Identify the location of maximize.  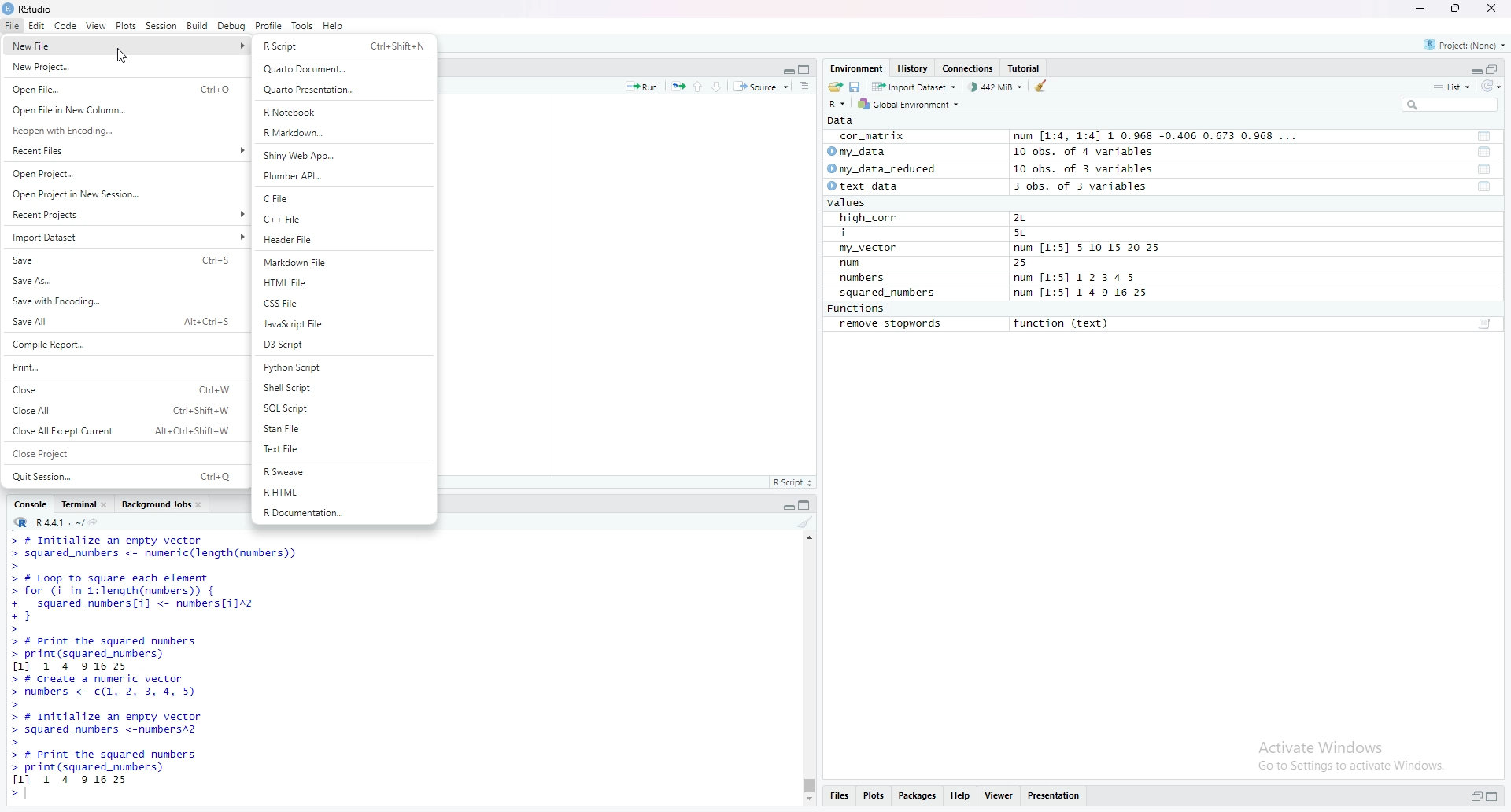
(806, 69).